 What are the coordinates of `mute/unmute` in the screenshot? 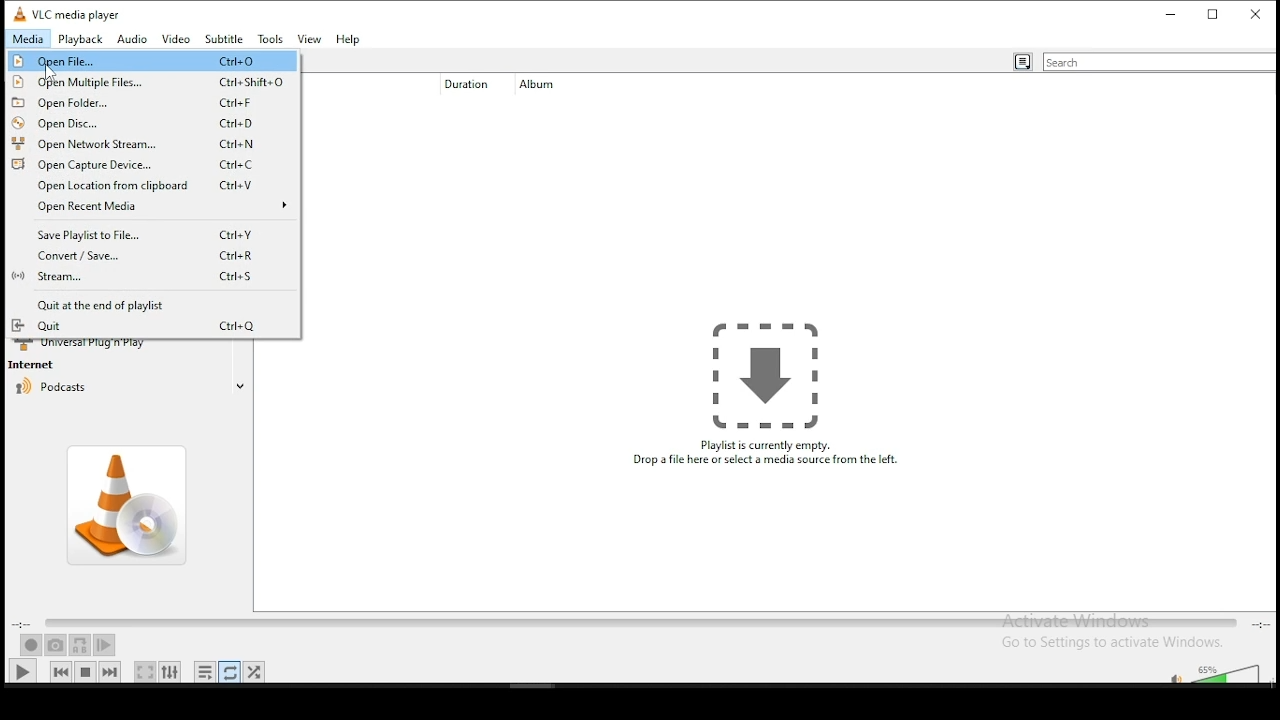 It's located at (1171, 675).